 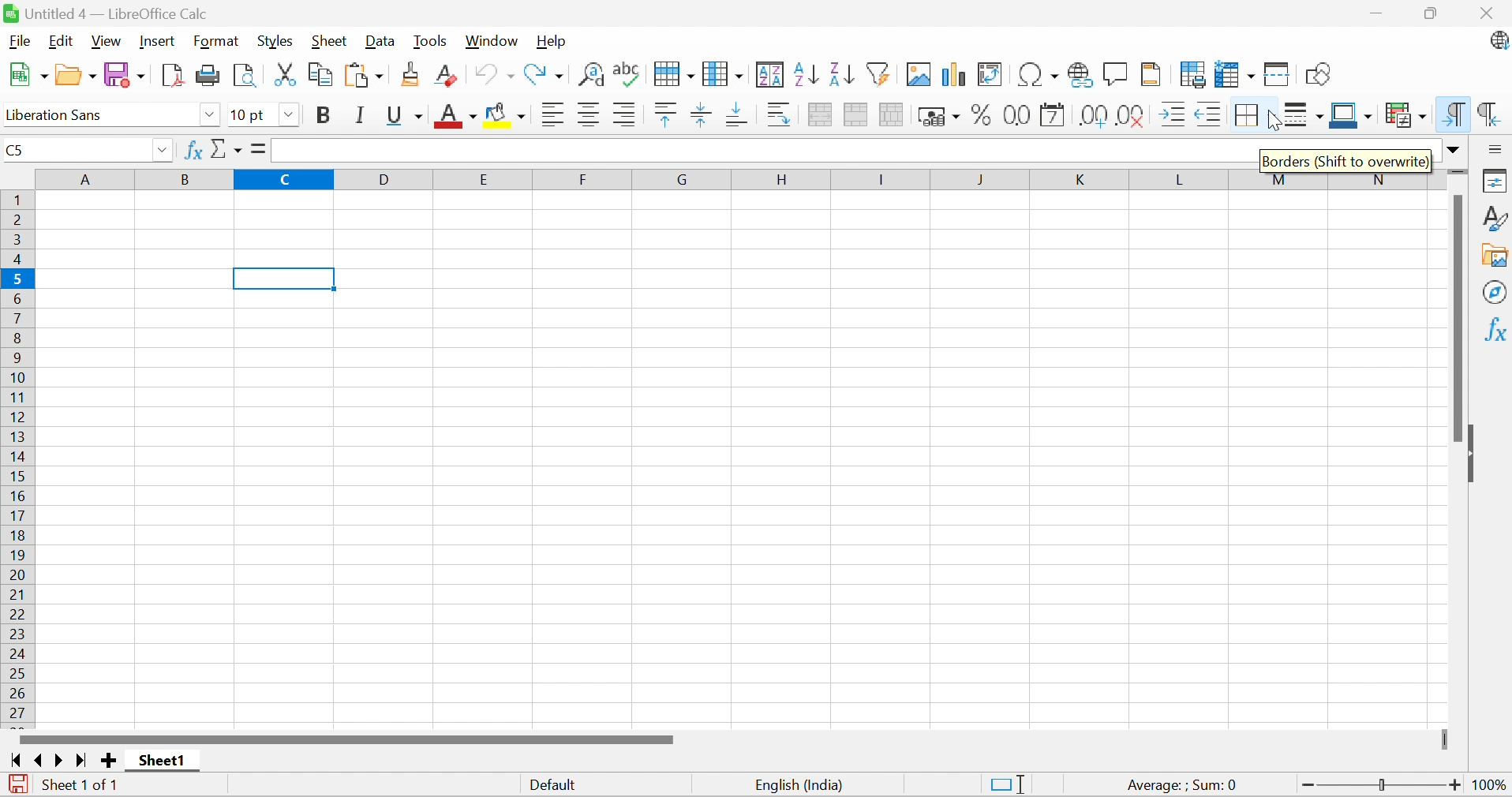 What do you see at coordinates (507, 116) in the screenshot?
I see `Background color` at bounding box center [507, 116].